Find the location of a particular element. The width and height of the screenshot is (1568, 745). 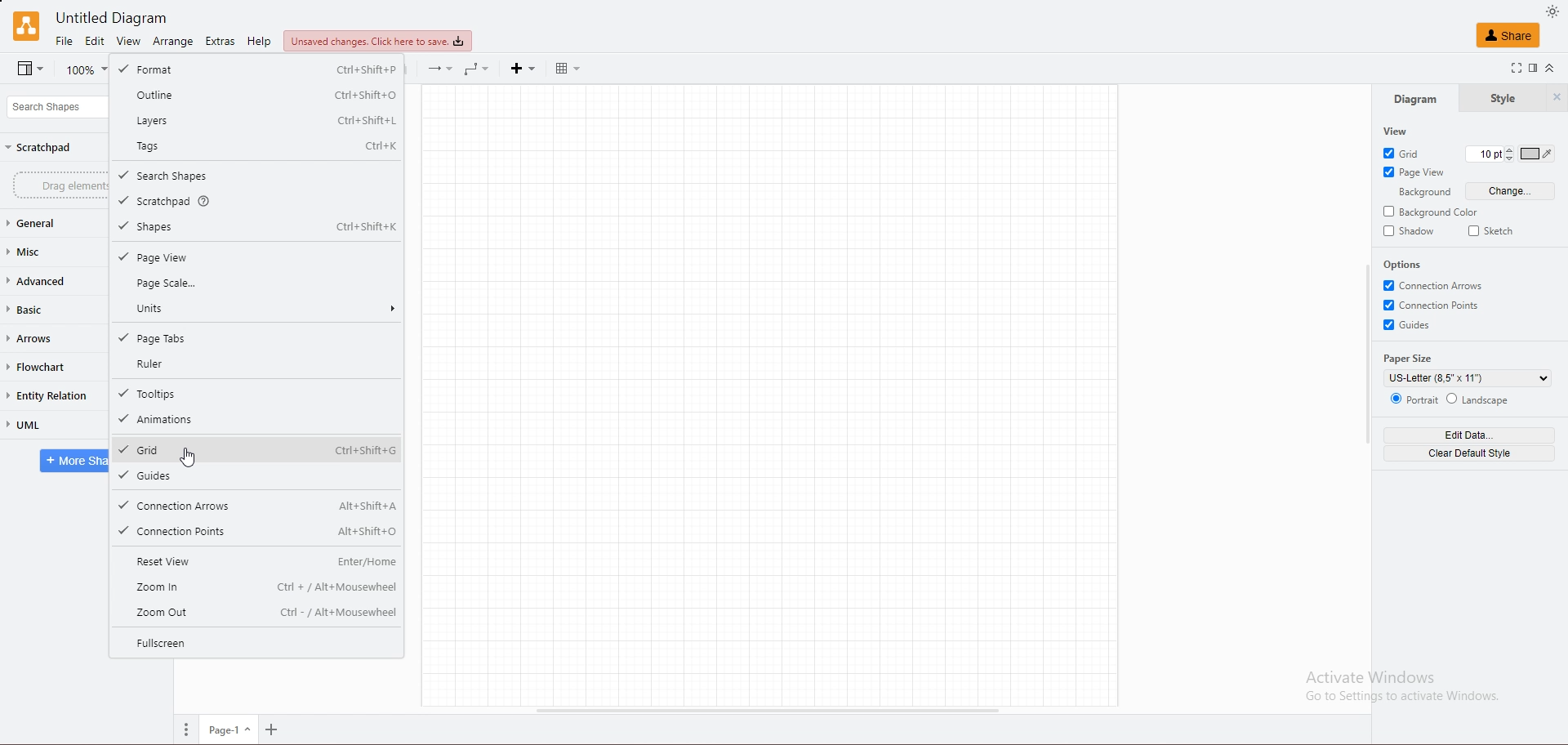

uml is located at coordinates (50, 424).